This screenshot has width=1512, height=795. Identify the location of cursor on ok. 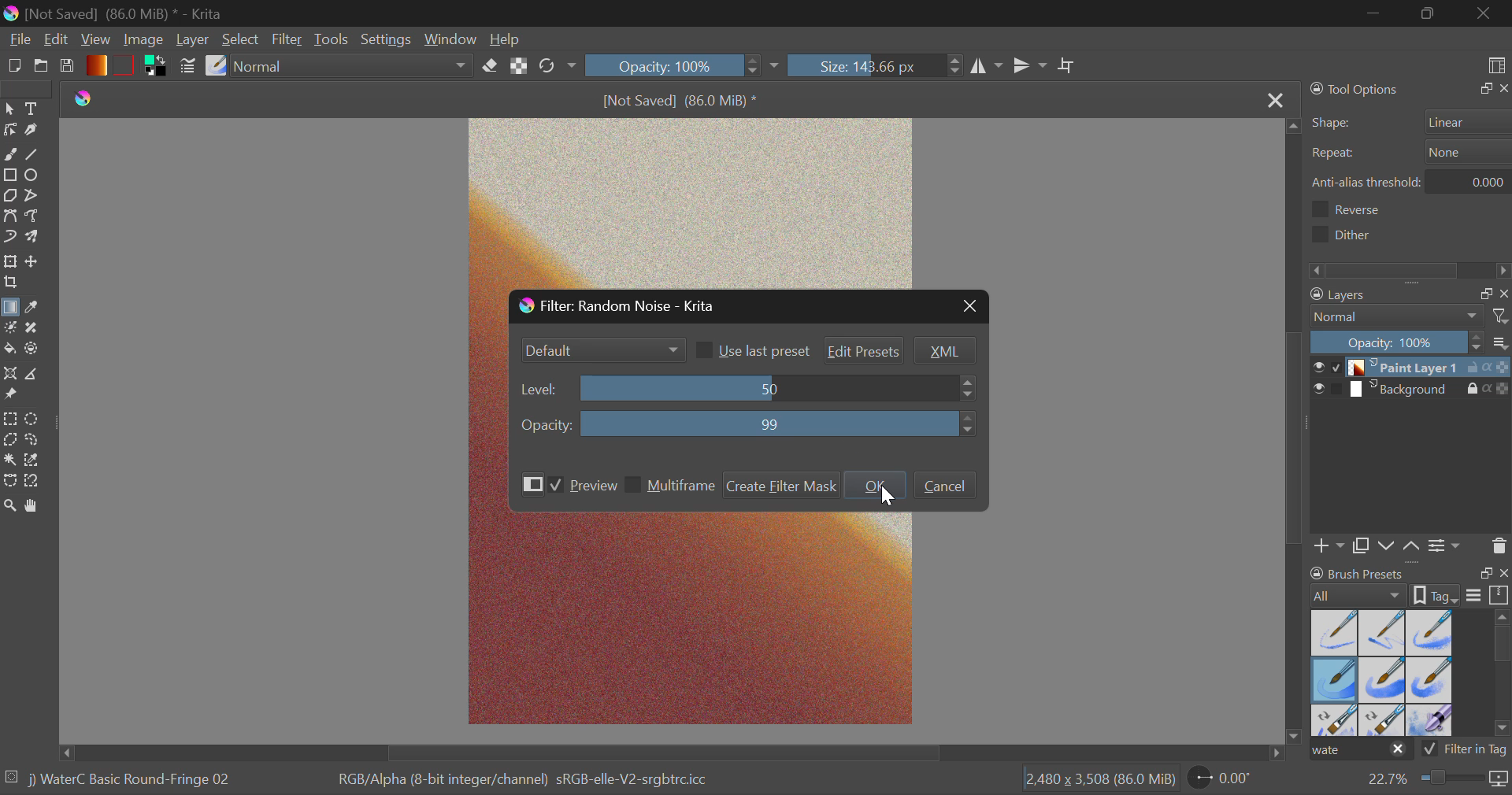
(891, 501).